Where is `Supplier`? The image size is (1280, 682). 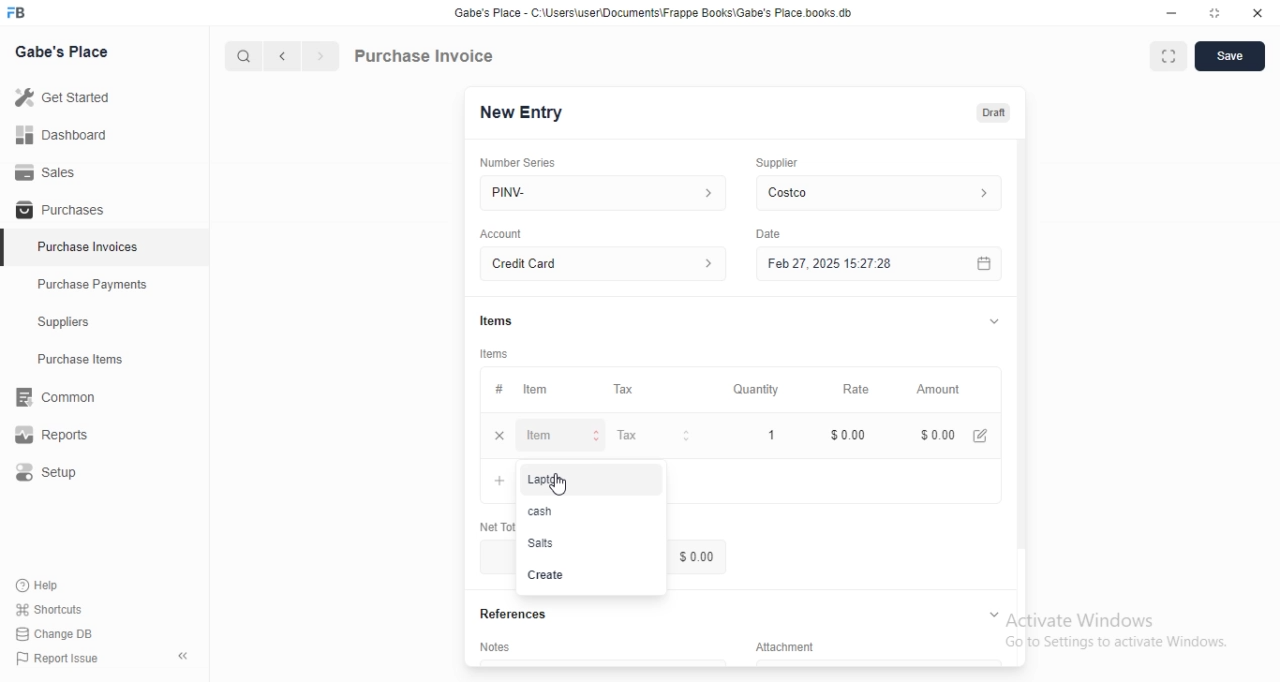 Supplier is located at coordinates (777, 163).